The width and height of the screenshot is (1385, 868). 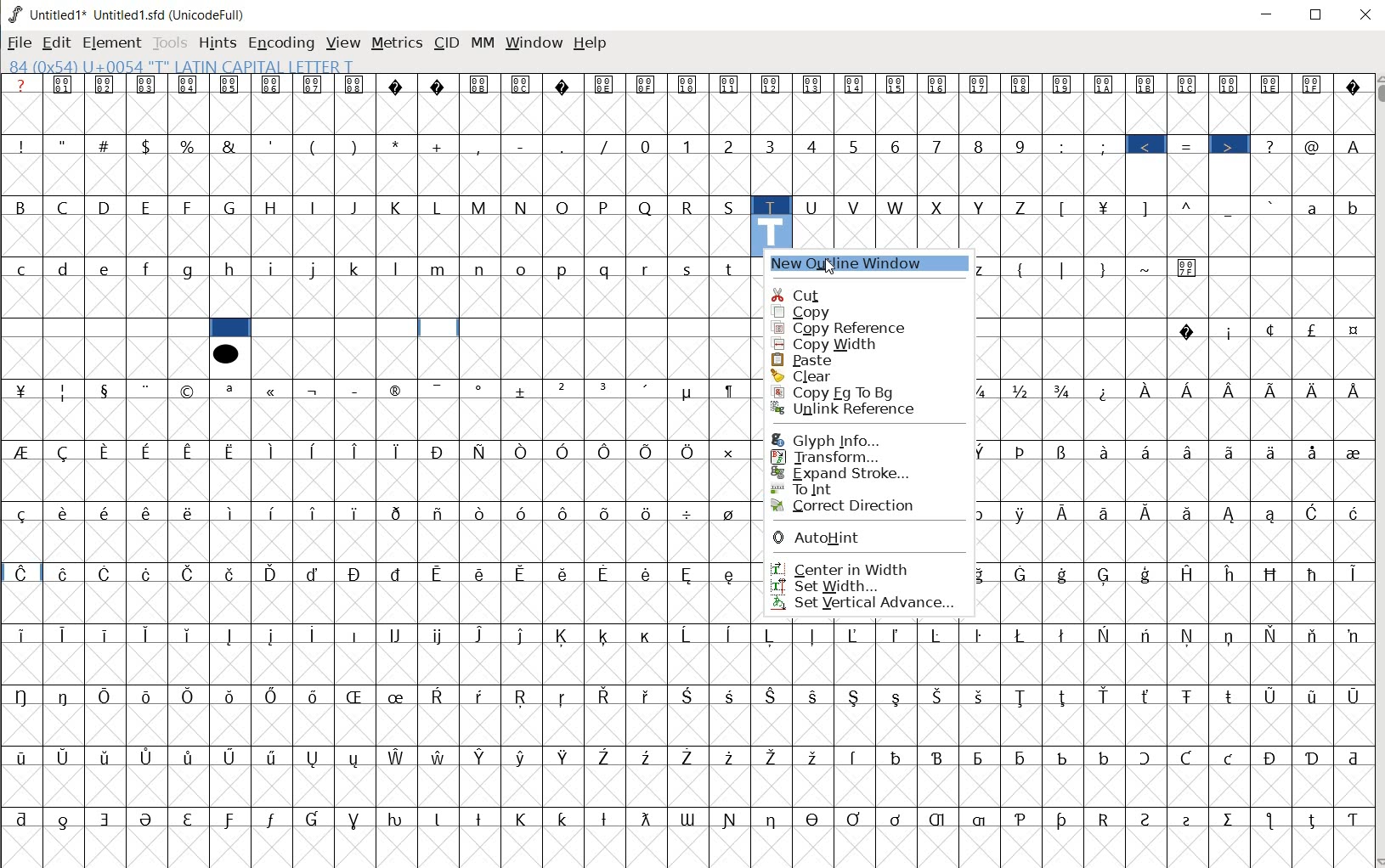 I want to click on Symbol, so click(x=605, y=637).